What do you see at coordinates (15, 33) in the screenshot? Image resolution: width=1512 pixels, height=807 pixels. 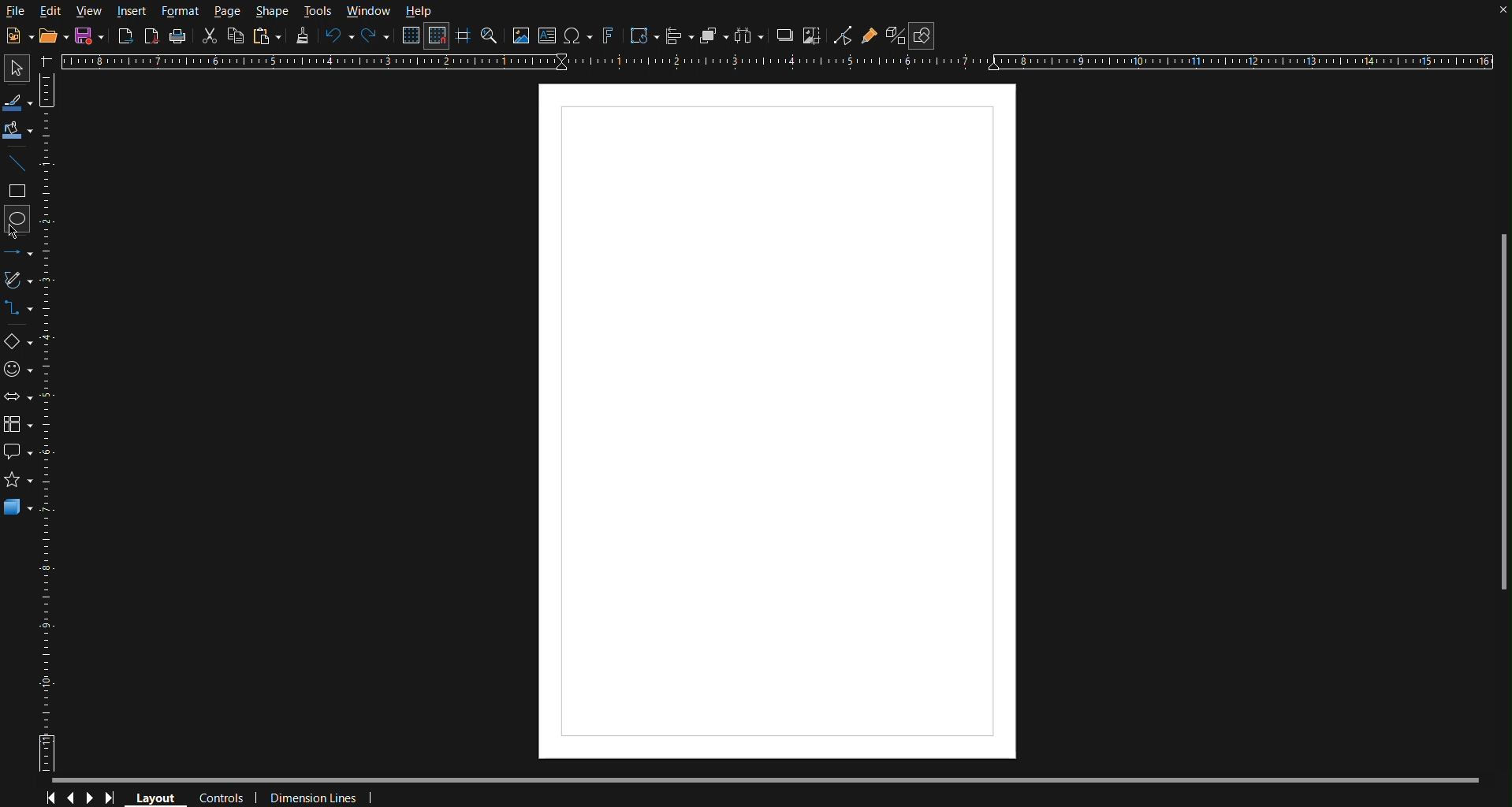 I see `New` at bounding box center [15, 33].